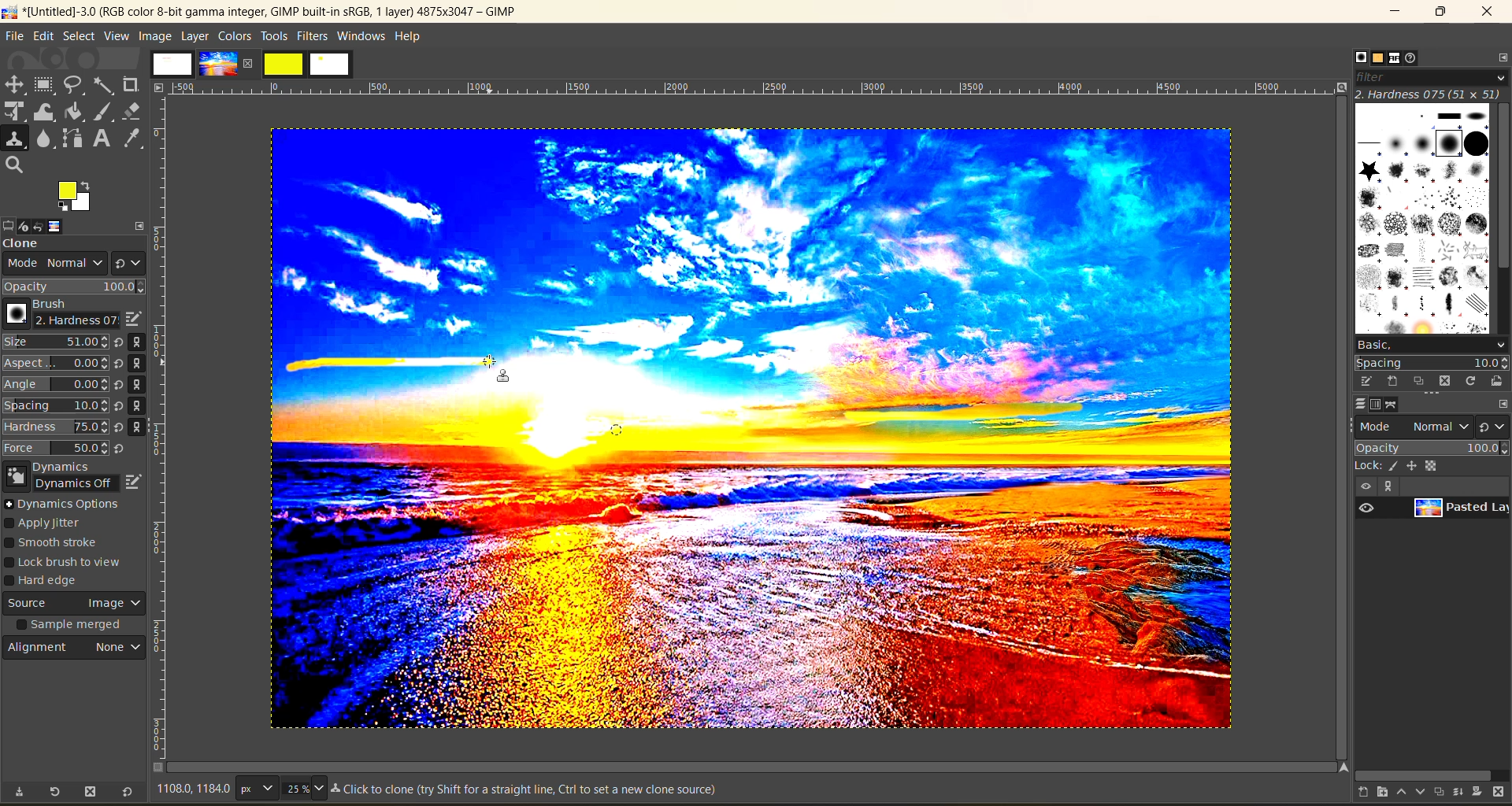 This screenshot has height=806, width=1512. What do you see at coordinates (1495, 426) in the screenshot?
I see `switch to another group` at bounding box center [1495, 426].